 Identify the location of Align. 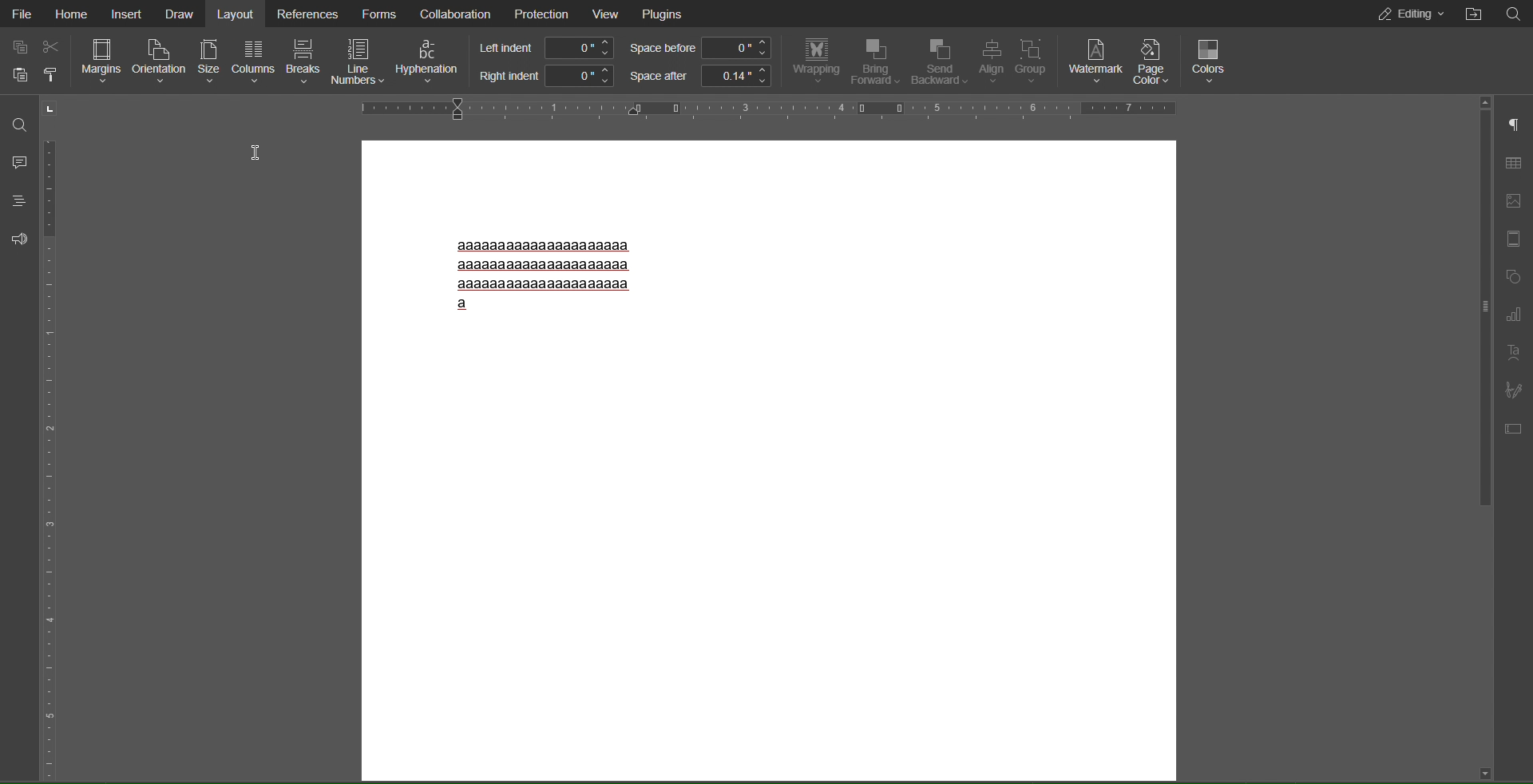
(992, 62).